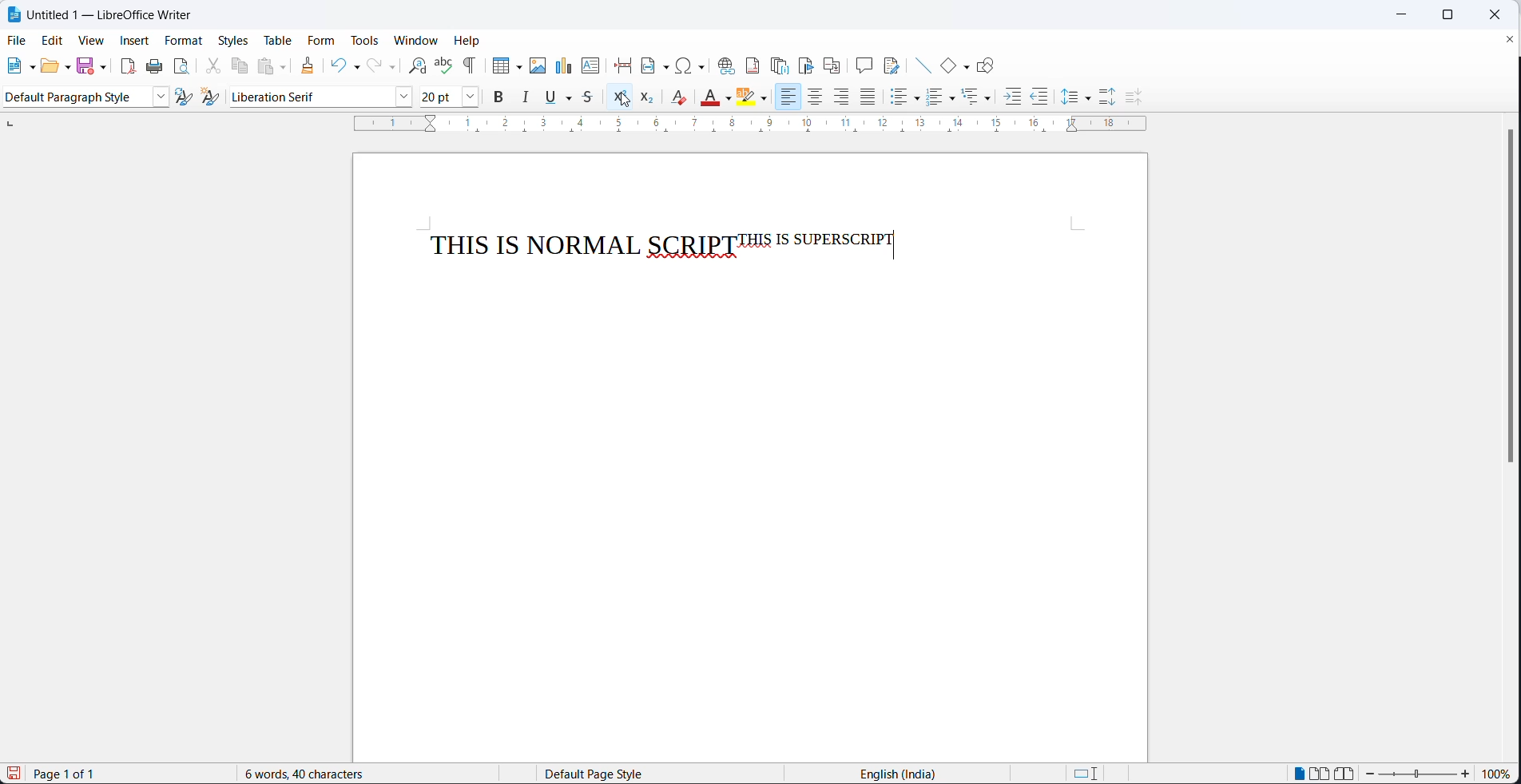  Describe the element at coordinates (551, 97) in the screenshot. I see `underline` at that location.